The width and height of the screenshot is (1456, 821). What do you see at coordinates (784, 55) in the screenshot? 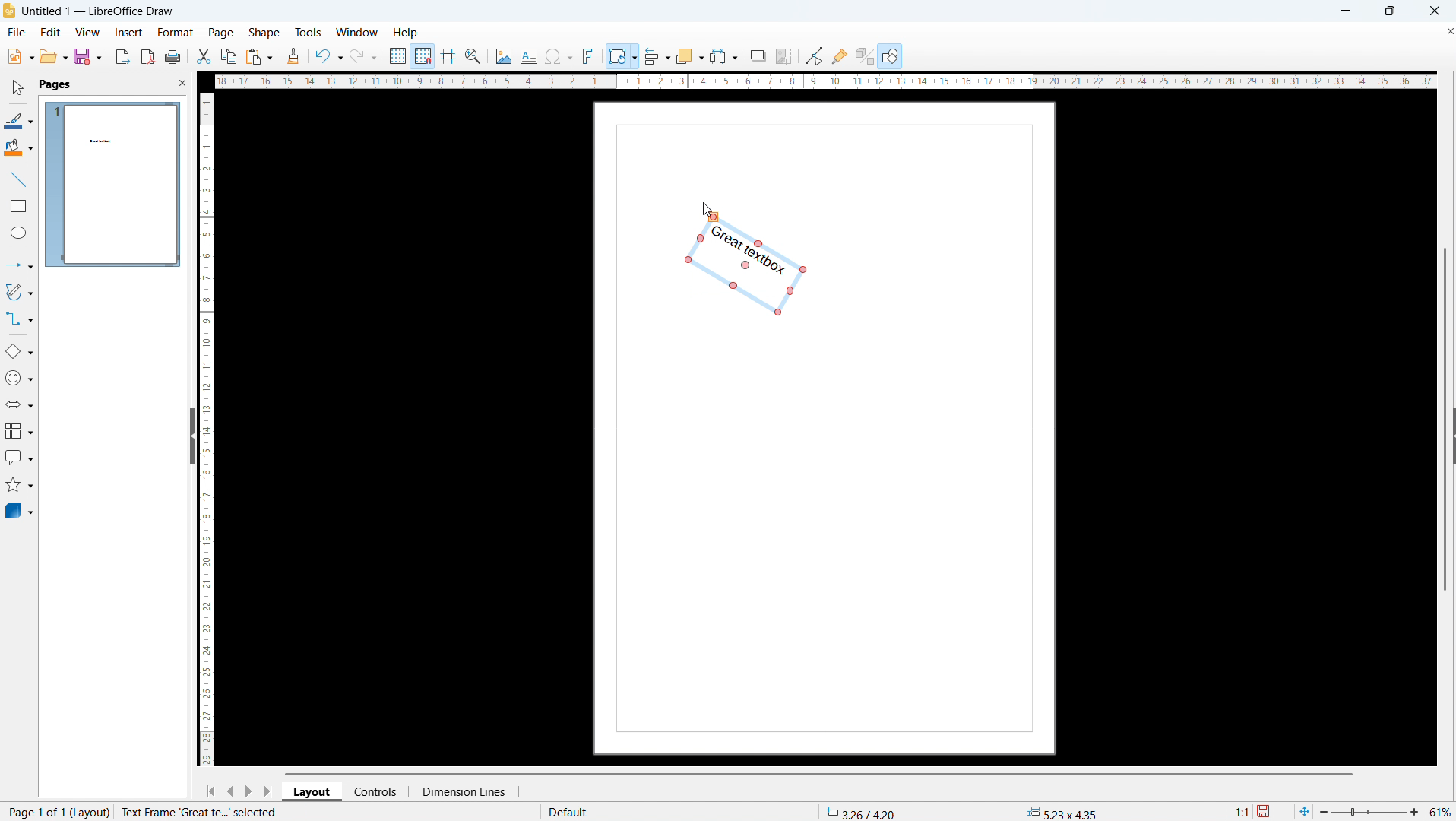
I see `crop image` at bounding box center [784, 55].